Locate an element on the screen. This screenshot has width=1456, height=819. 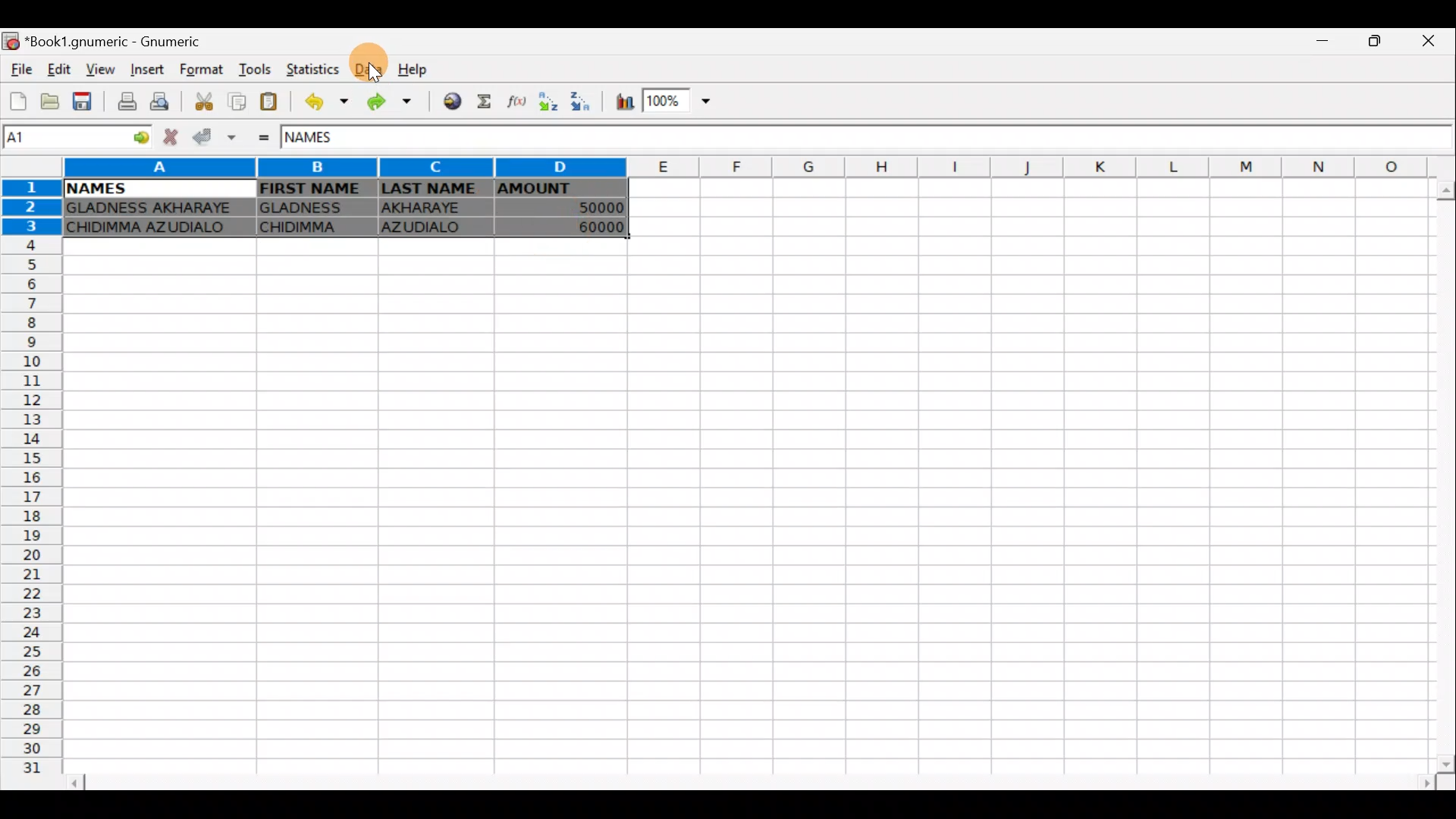
Rows is located at coordinates (29, 485).